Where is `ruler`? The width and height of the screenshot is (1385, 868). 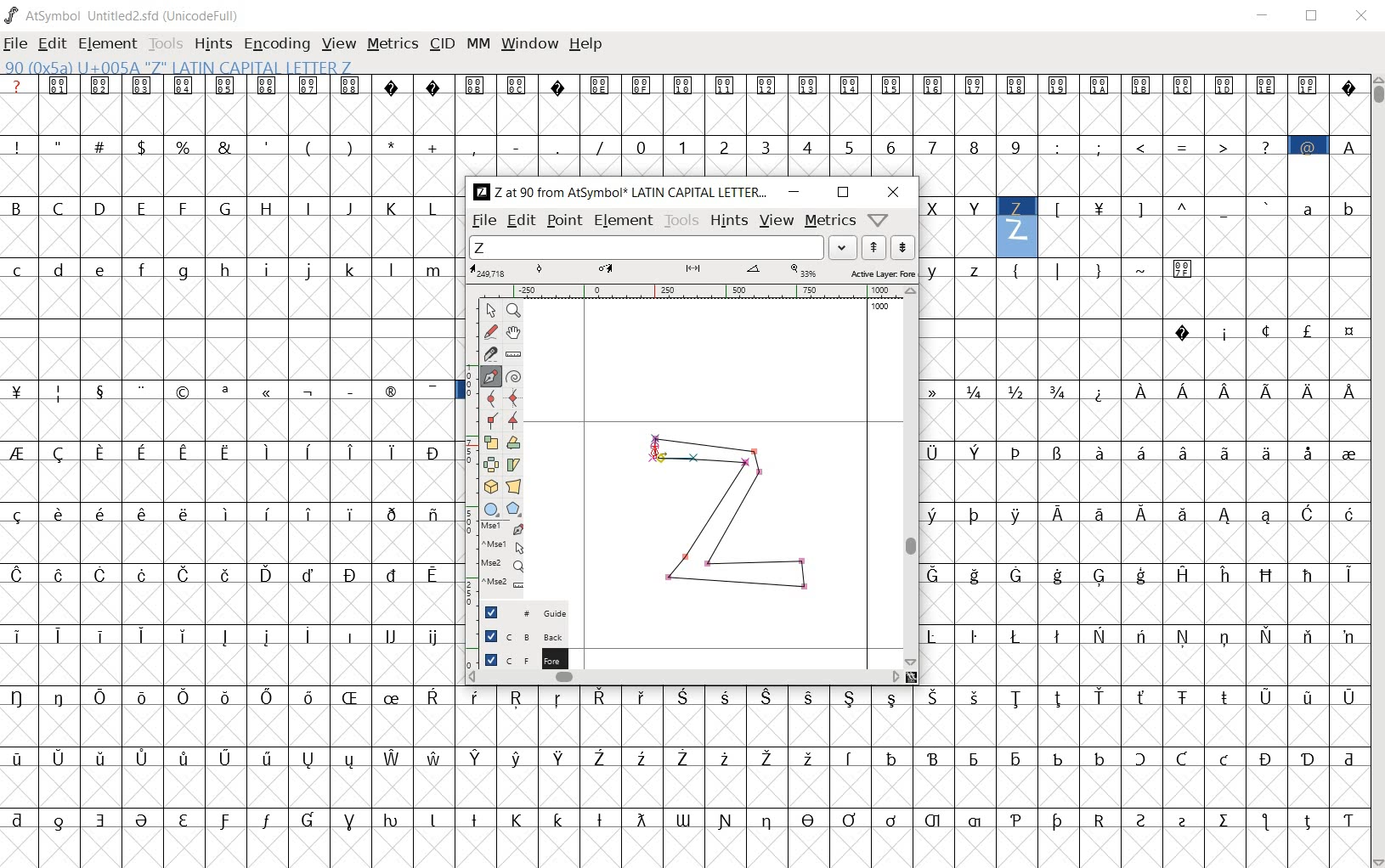
ruler is located at coordinates (704, 290).